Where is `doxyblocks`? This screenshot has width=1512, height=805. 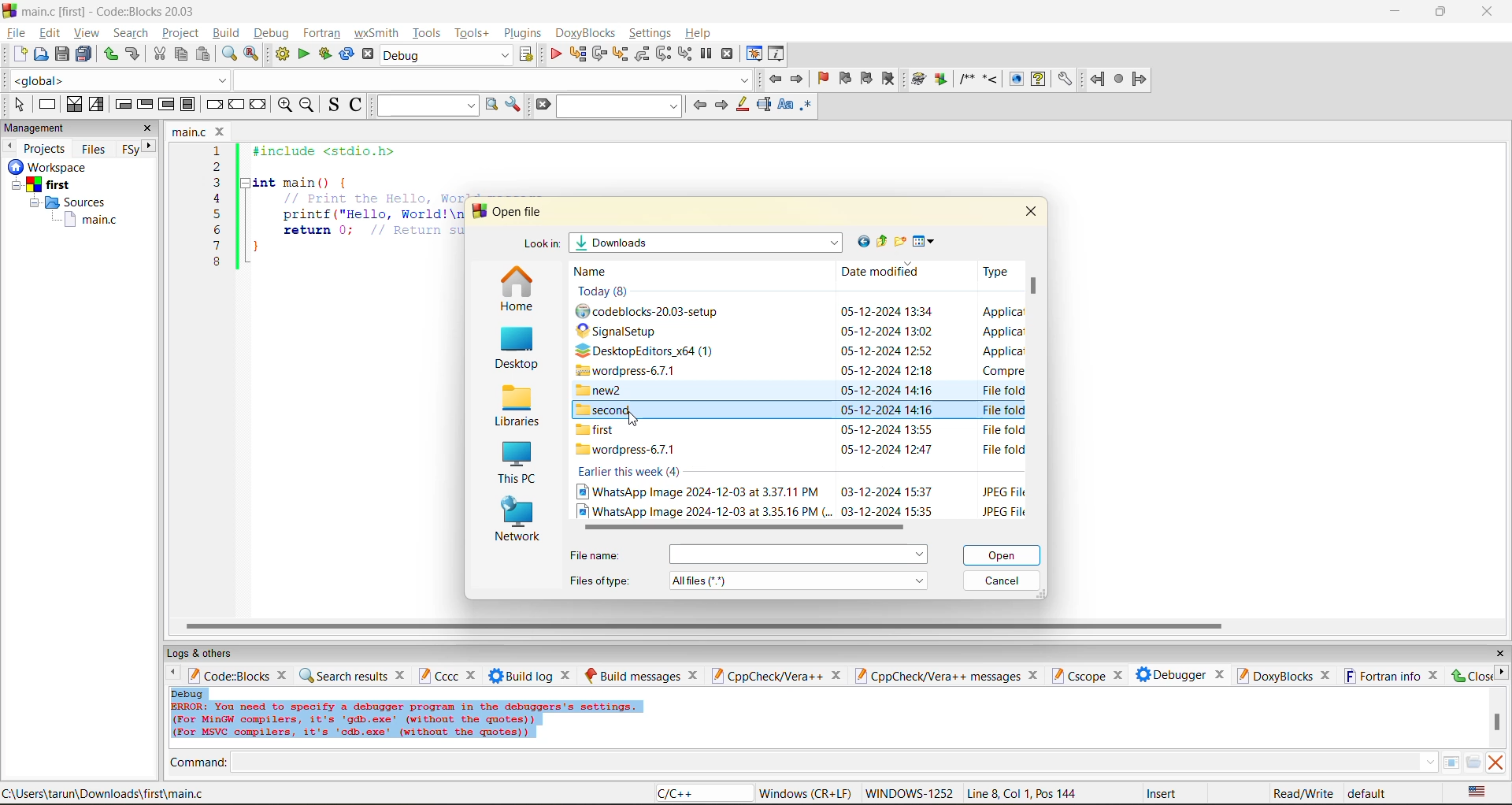
doxyblocks is located at coordinates (588, 33).